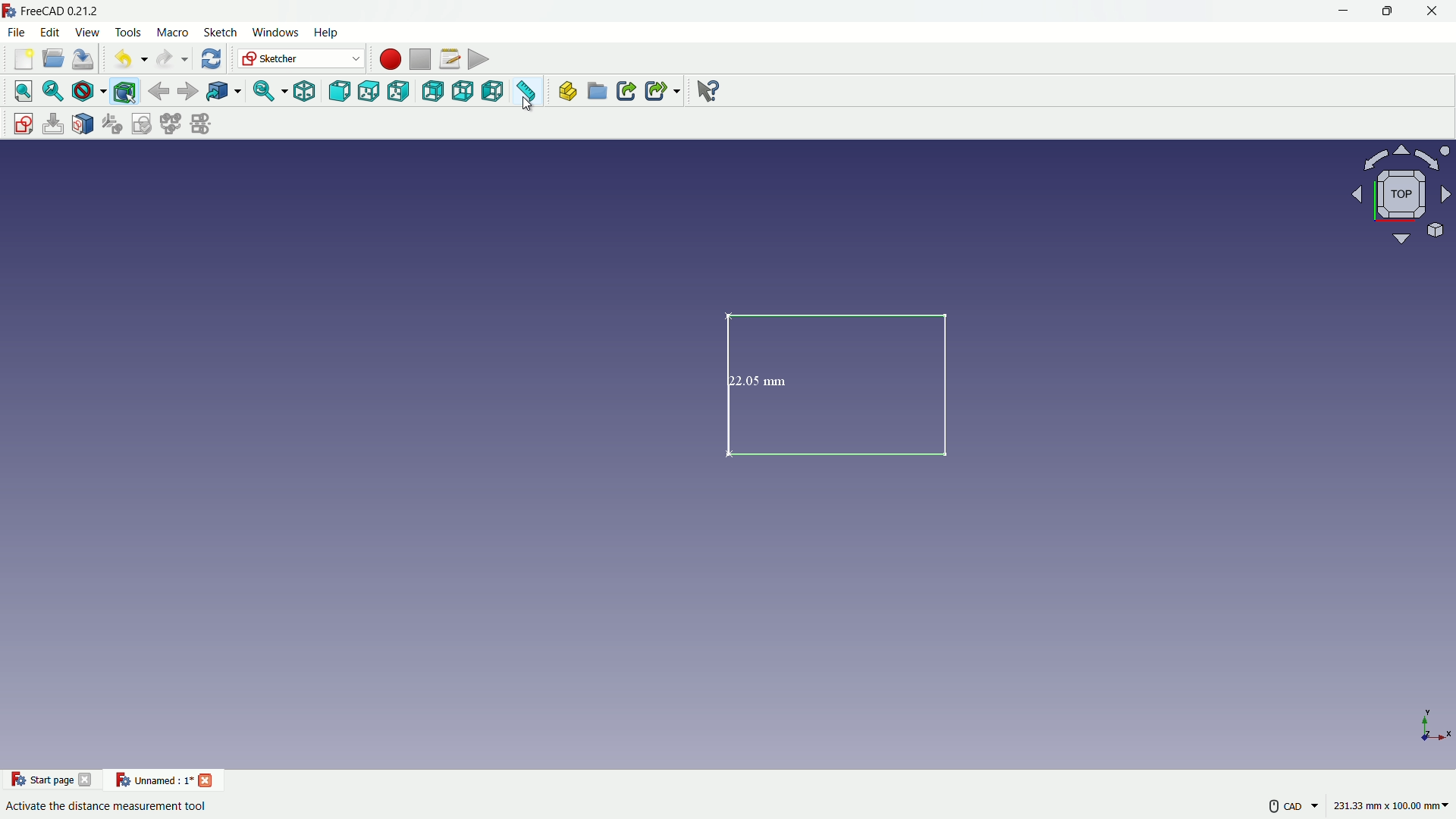 This screenshot has width=1456, height=819. What do you see at coordinates (209, 59) in the screenshot?
I see `refresh` at bounding box center [209, 59].